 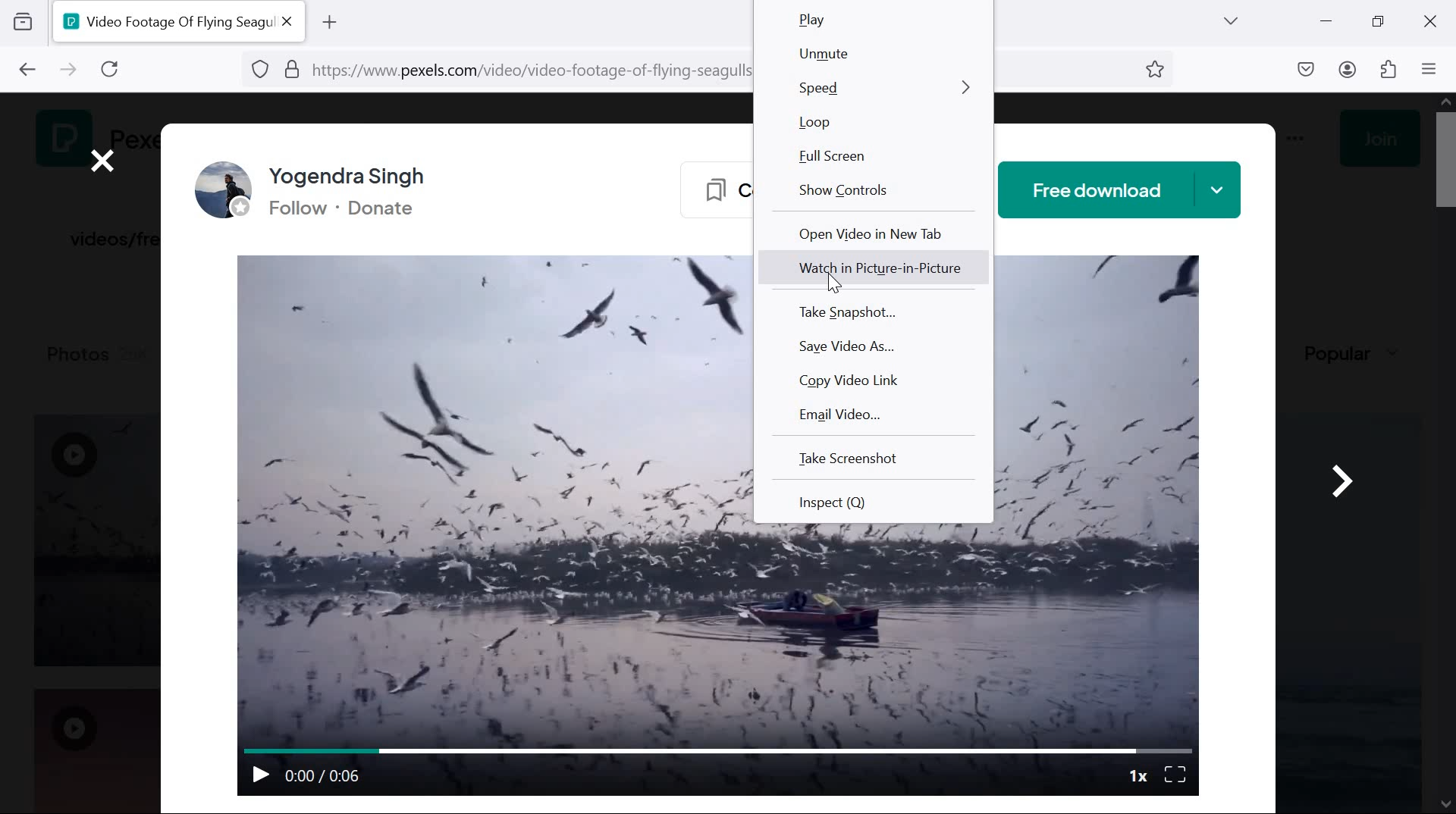 What do you see at coordinates (858, 346) in the screenshot?
I see `save video as` at bounding box center [858, 346].